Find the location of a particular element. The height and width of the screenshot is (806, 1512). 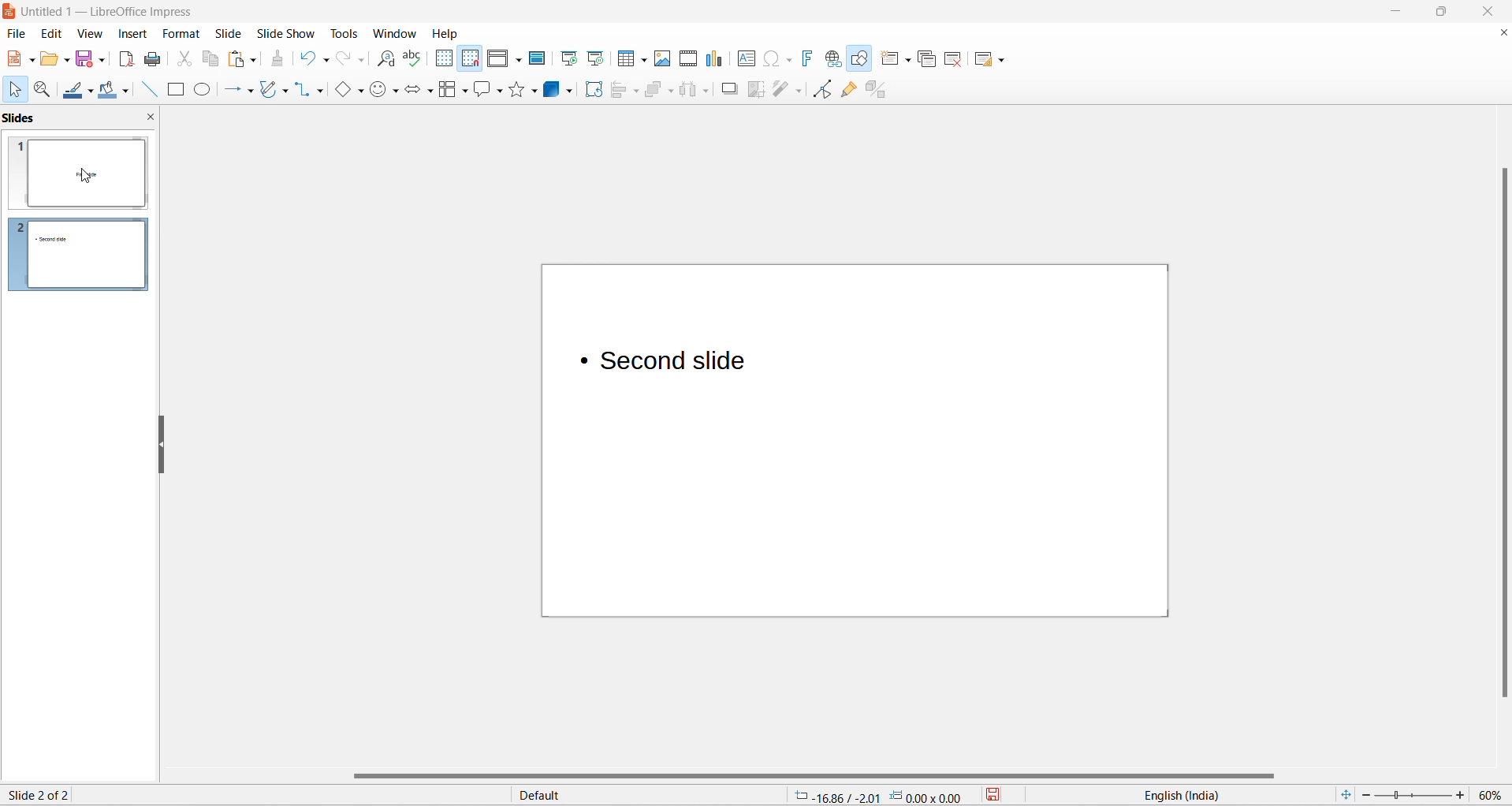

rotate is located at coordinates (595, 91).